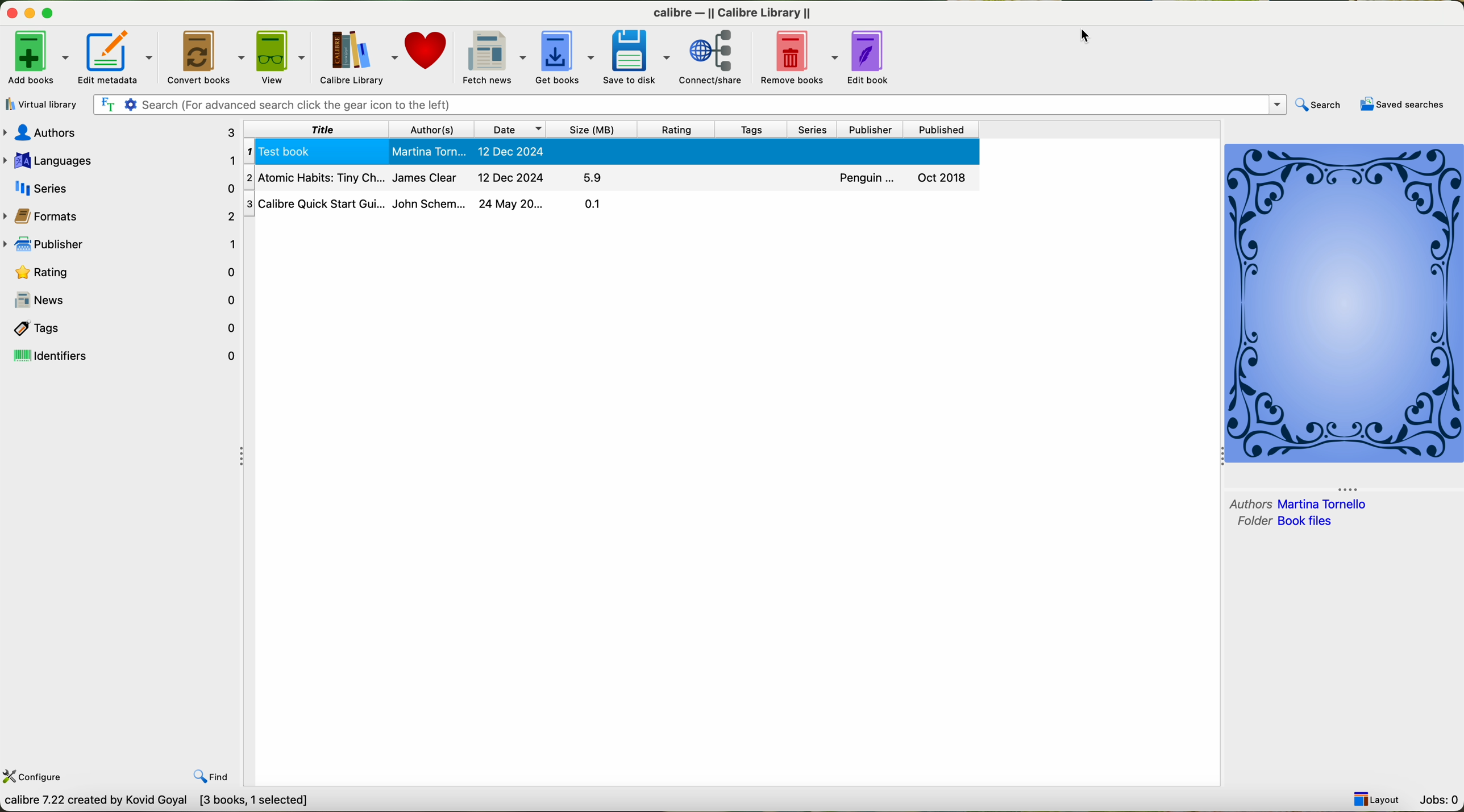 This screenshot has width=1464, height=812. Describe the element at coordinates (675, 128) in the screenshot. I see `rating` at that location.